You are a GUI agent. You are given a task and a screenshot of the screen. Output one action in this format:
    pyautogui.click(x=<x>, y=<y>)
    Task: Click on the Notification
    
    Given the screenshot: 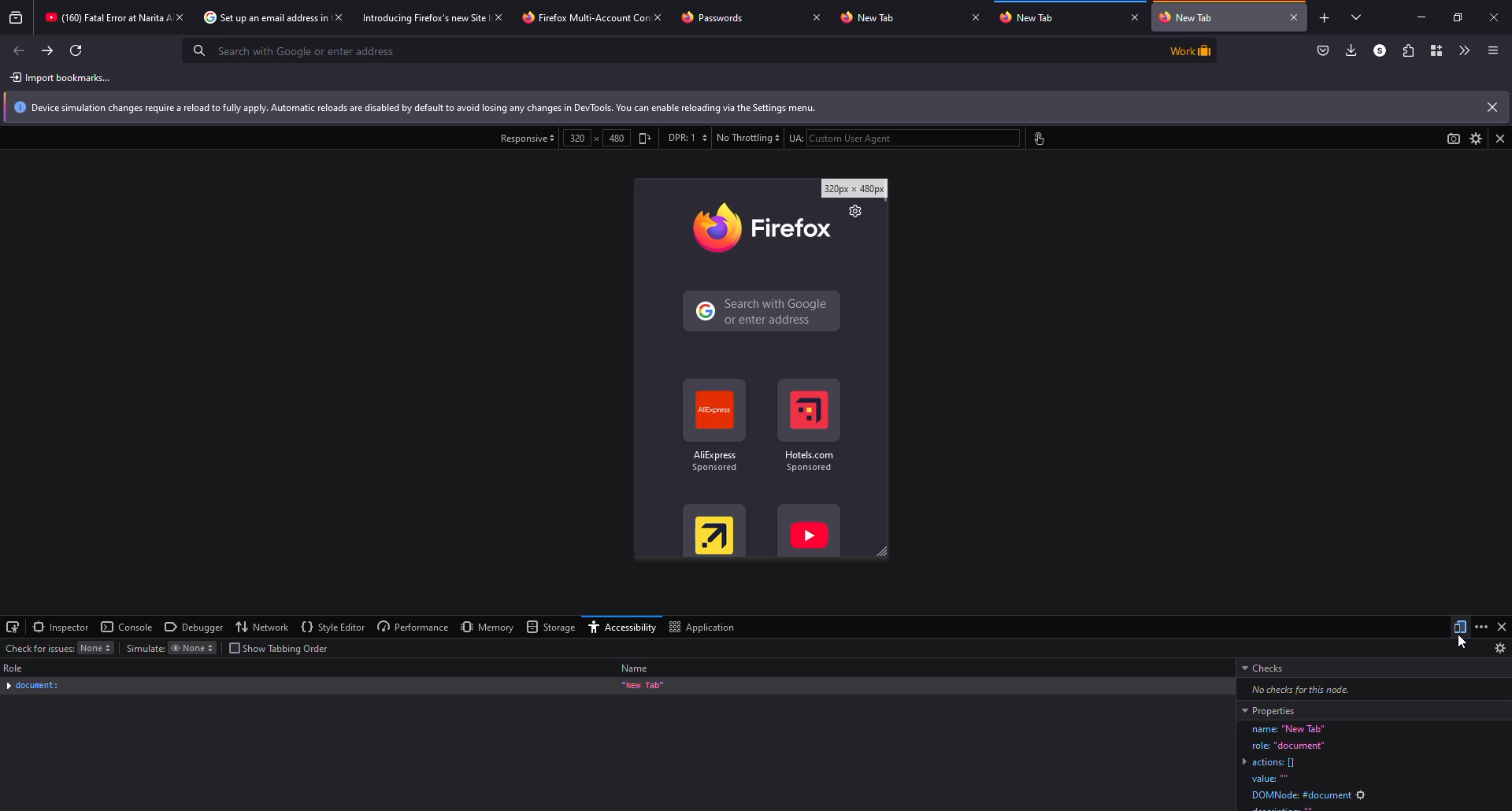 What is the action you would take?
    pyautogui.click(x=740, y=108)
    